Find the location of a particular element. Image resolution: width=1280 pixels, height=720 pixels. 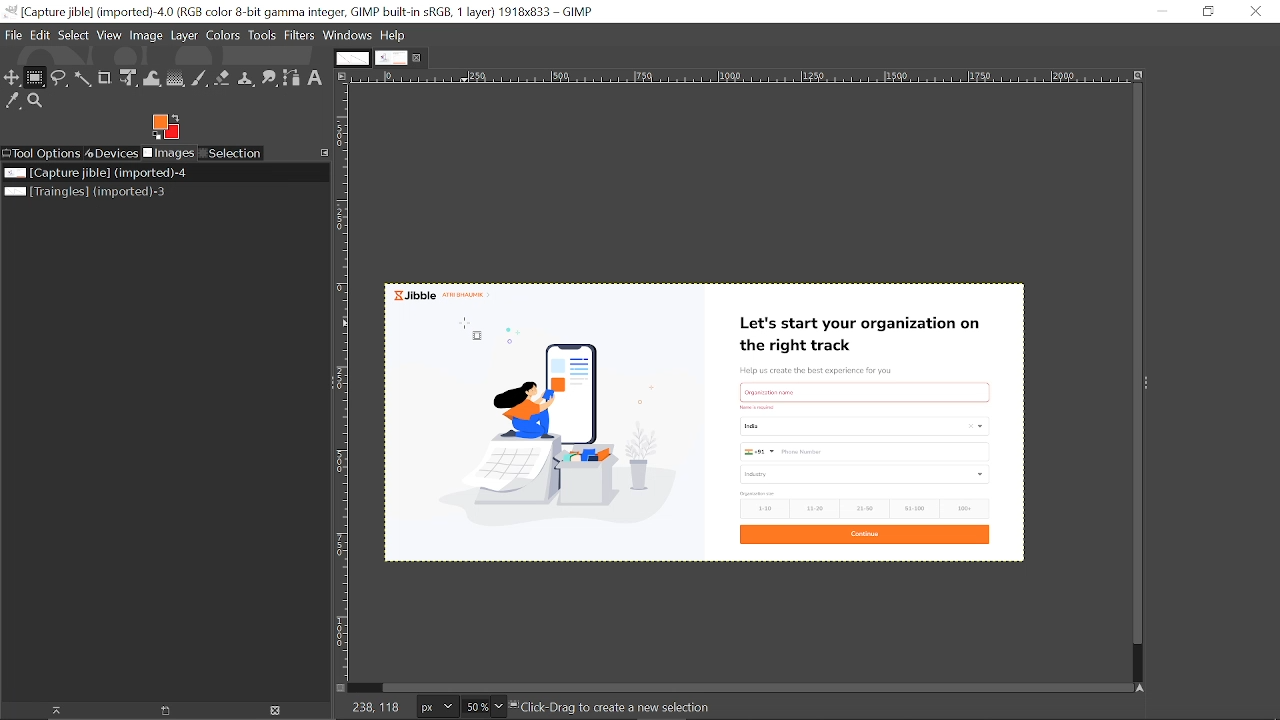

File is located at coordinates (11, 34).